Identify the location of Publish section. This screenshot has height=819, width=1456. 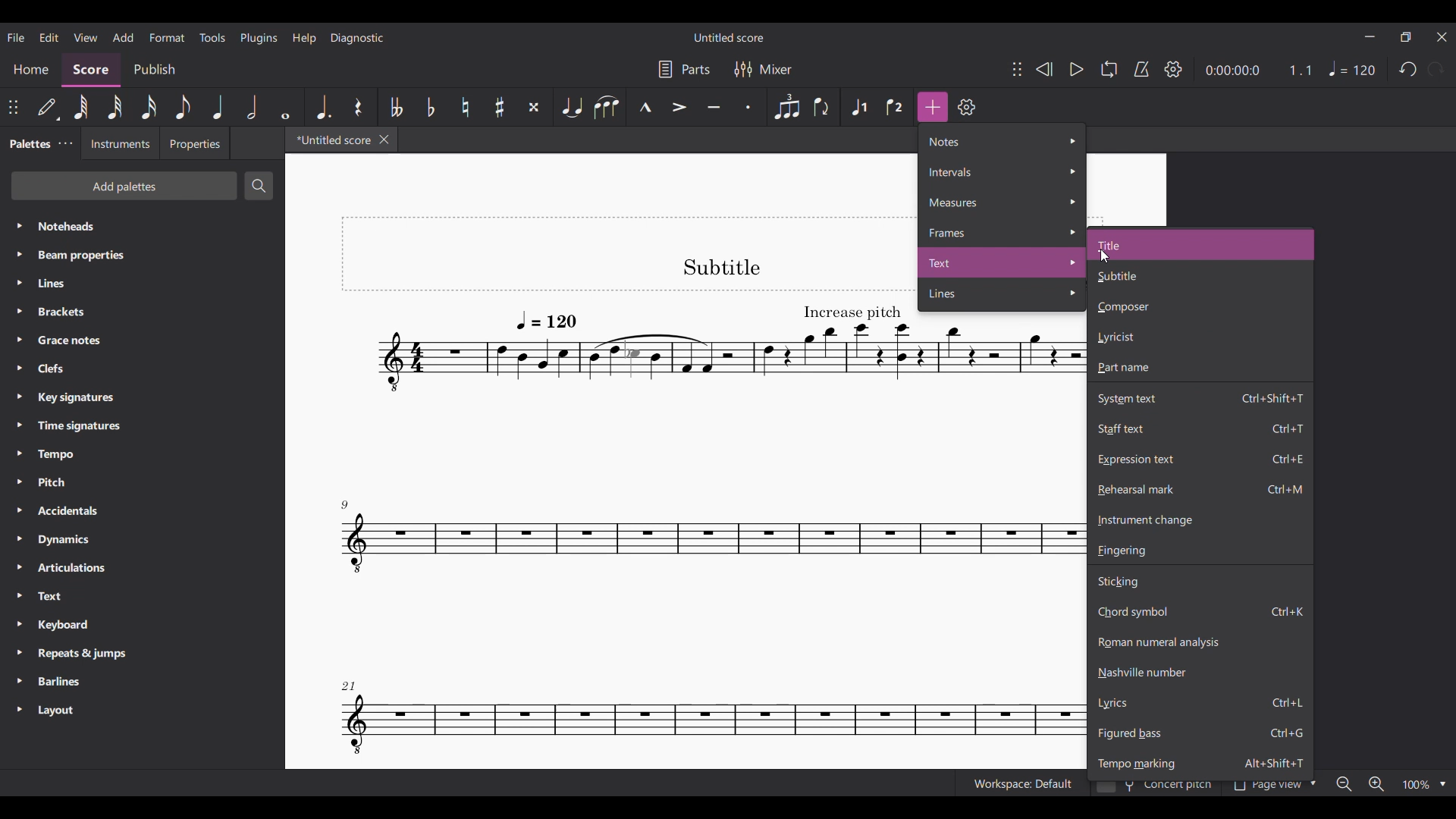
(154, 70).